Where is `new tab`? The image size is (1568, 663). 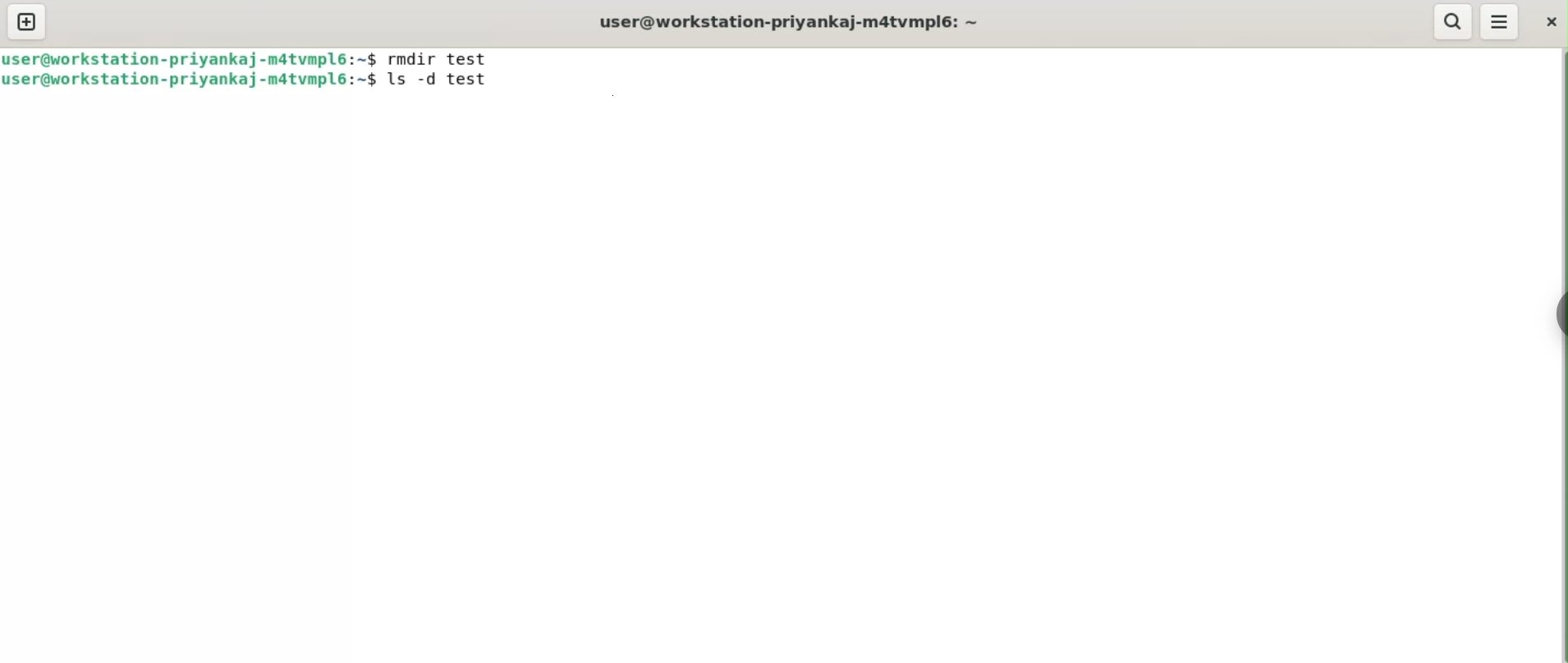 new tab is located at coordinates (29, 22).